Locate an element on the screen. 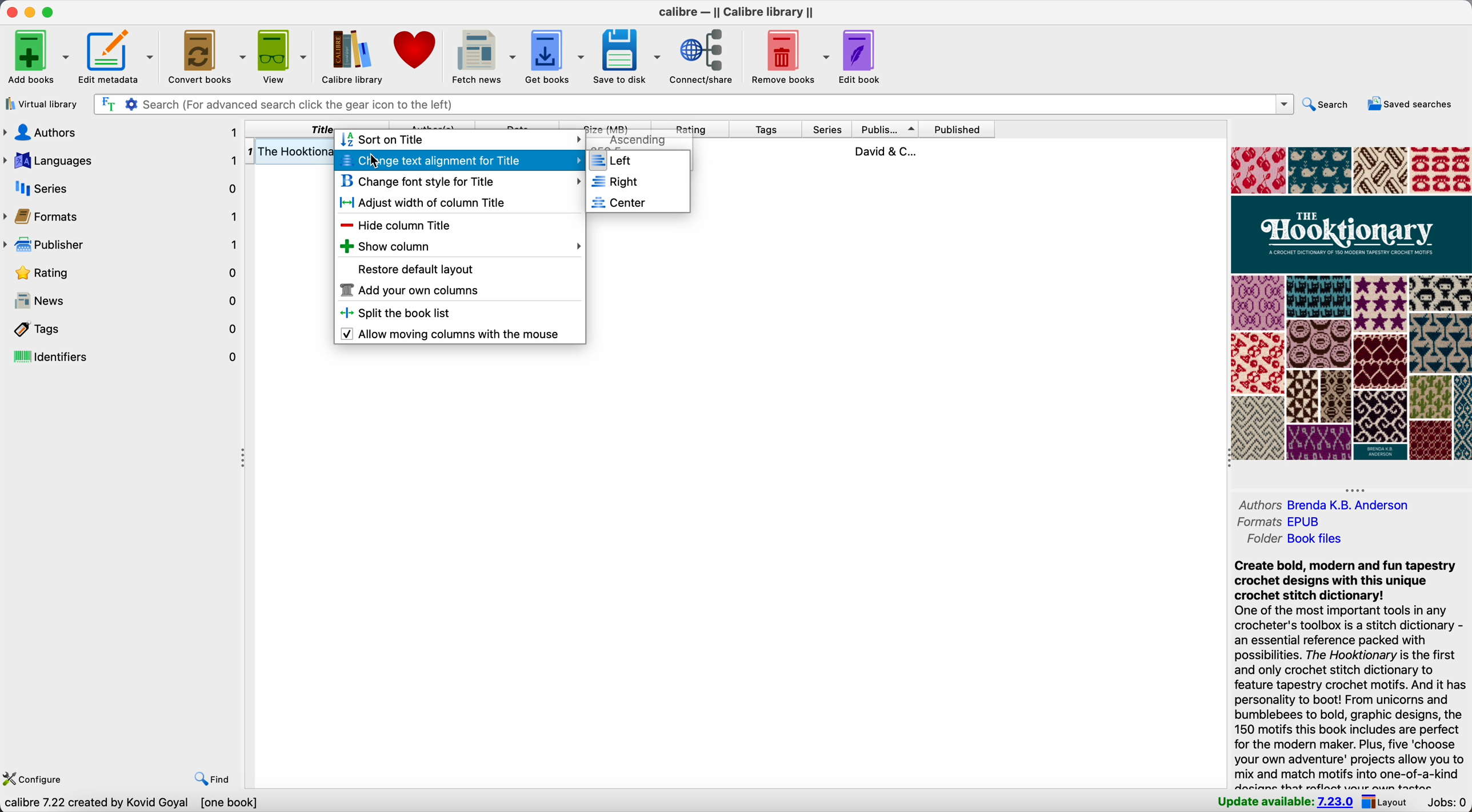 The width and height of the screenshot is (1472, 812). update available is located at coordinates (1287, 800).